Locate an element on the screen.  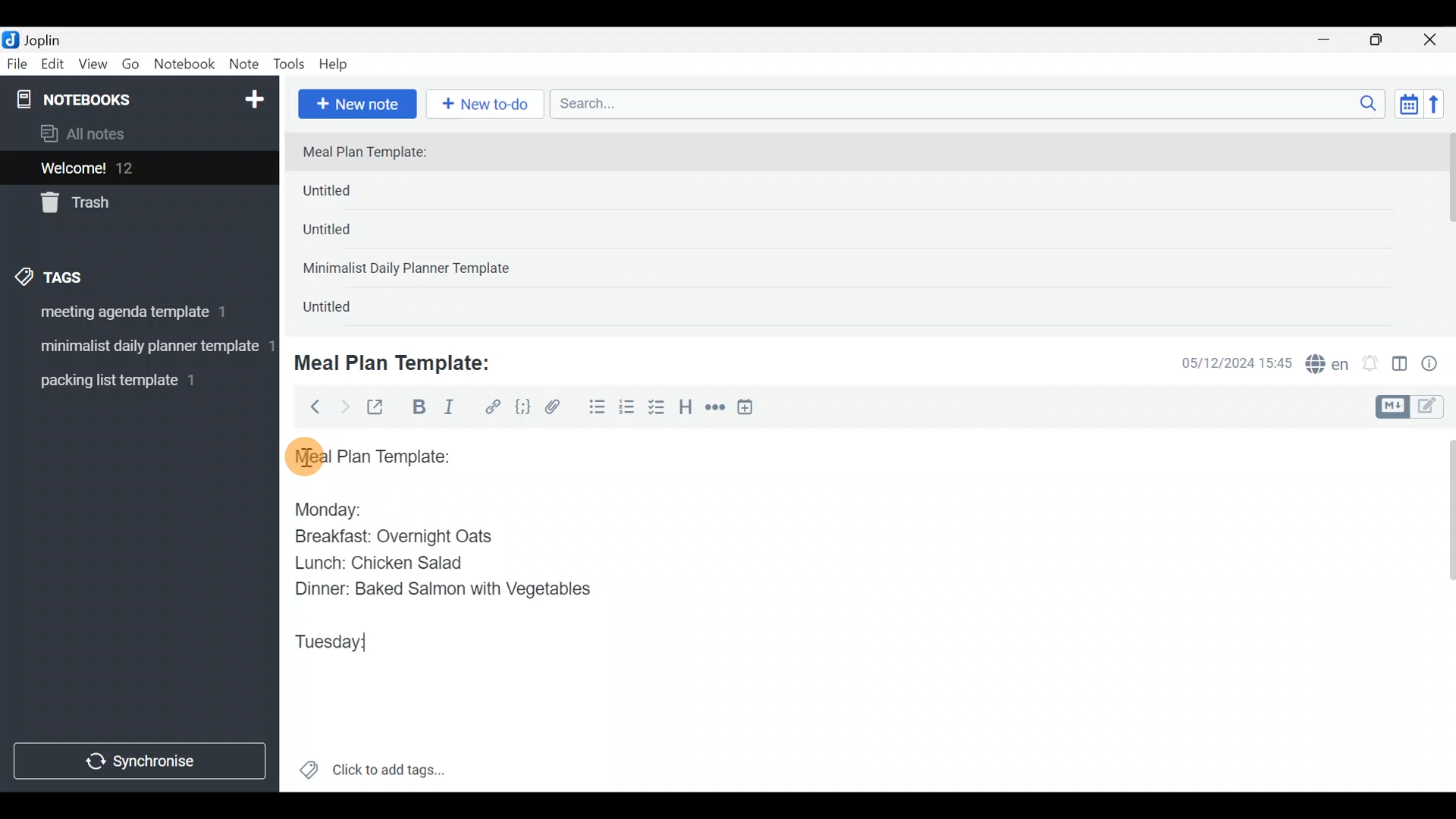
New to-do is located at coordinates (488, 105).